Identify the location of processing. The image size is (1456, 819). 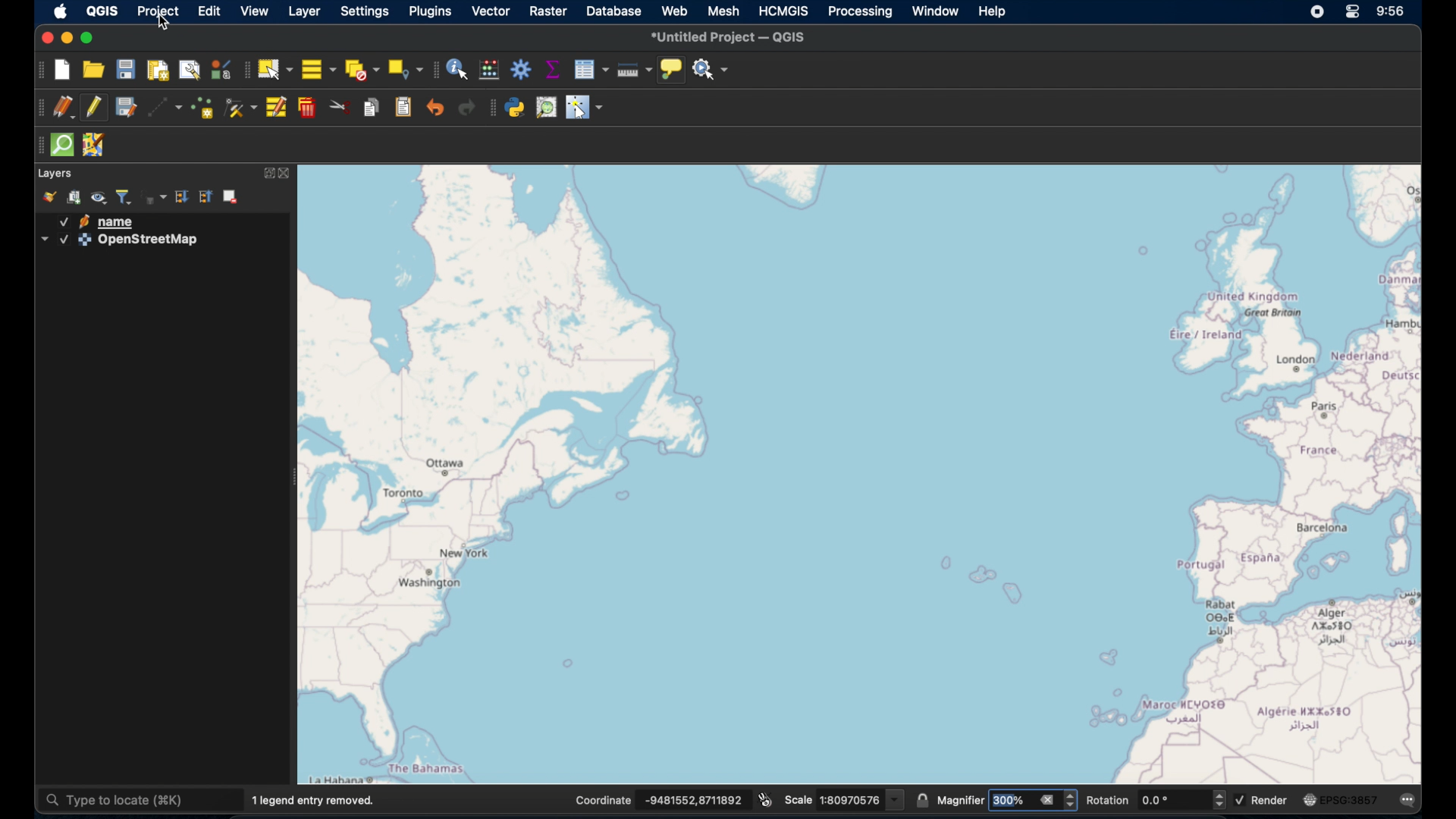
(861, 13).